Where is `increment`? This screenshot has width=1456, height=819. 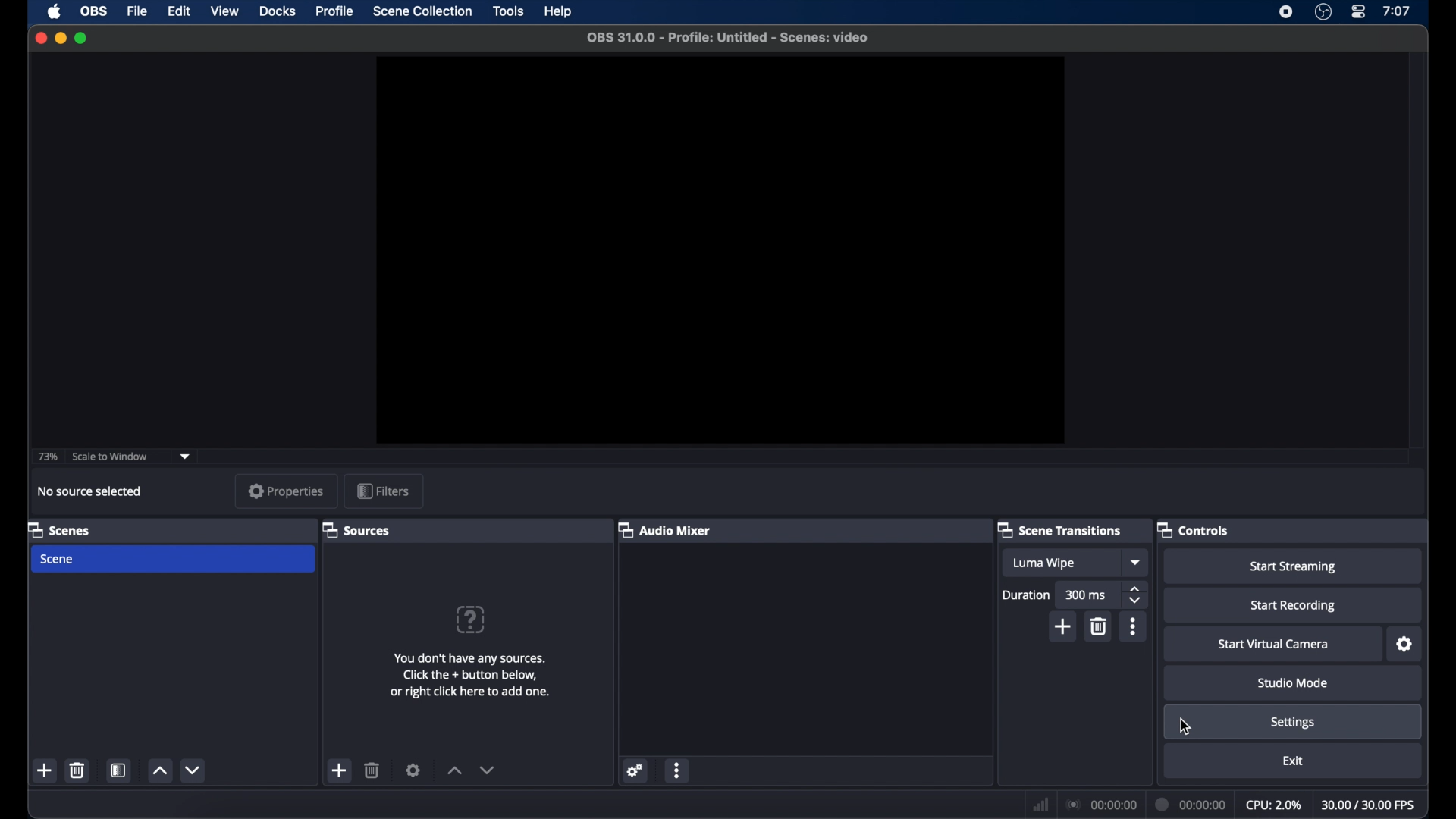 increment is located at coordinates (160, 771).